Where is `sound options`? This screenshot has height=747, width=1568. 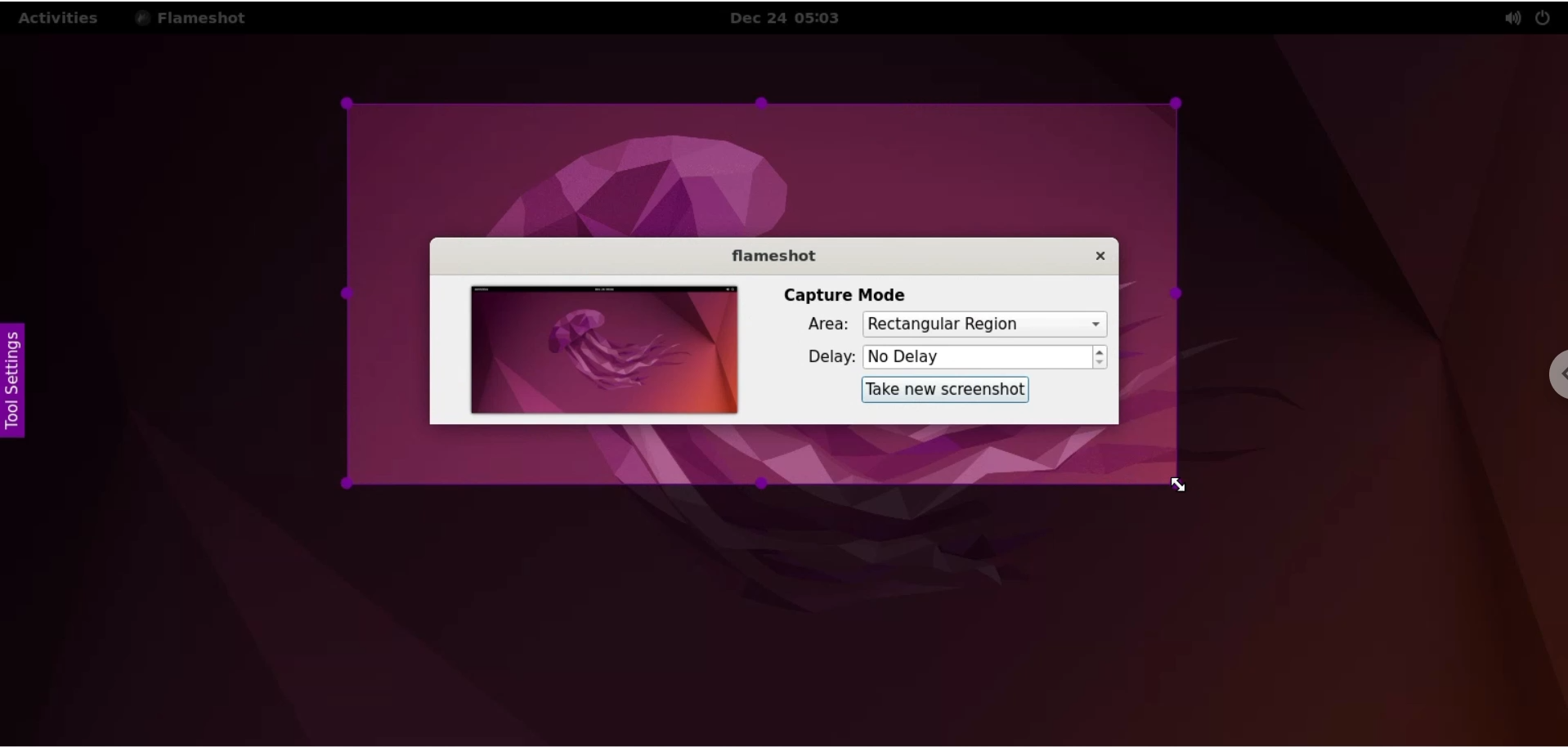
sound options is located at coordinates (1512, 18).